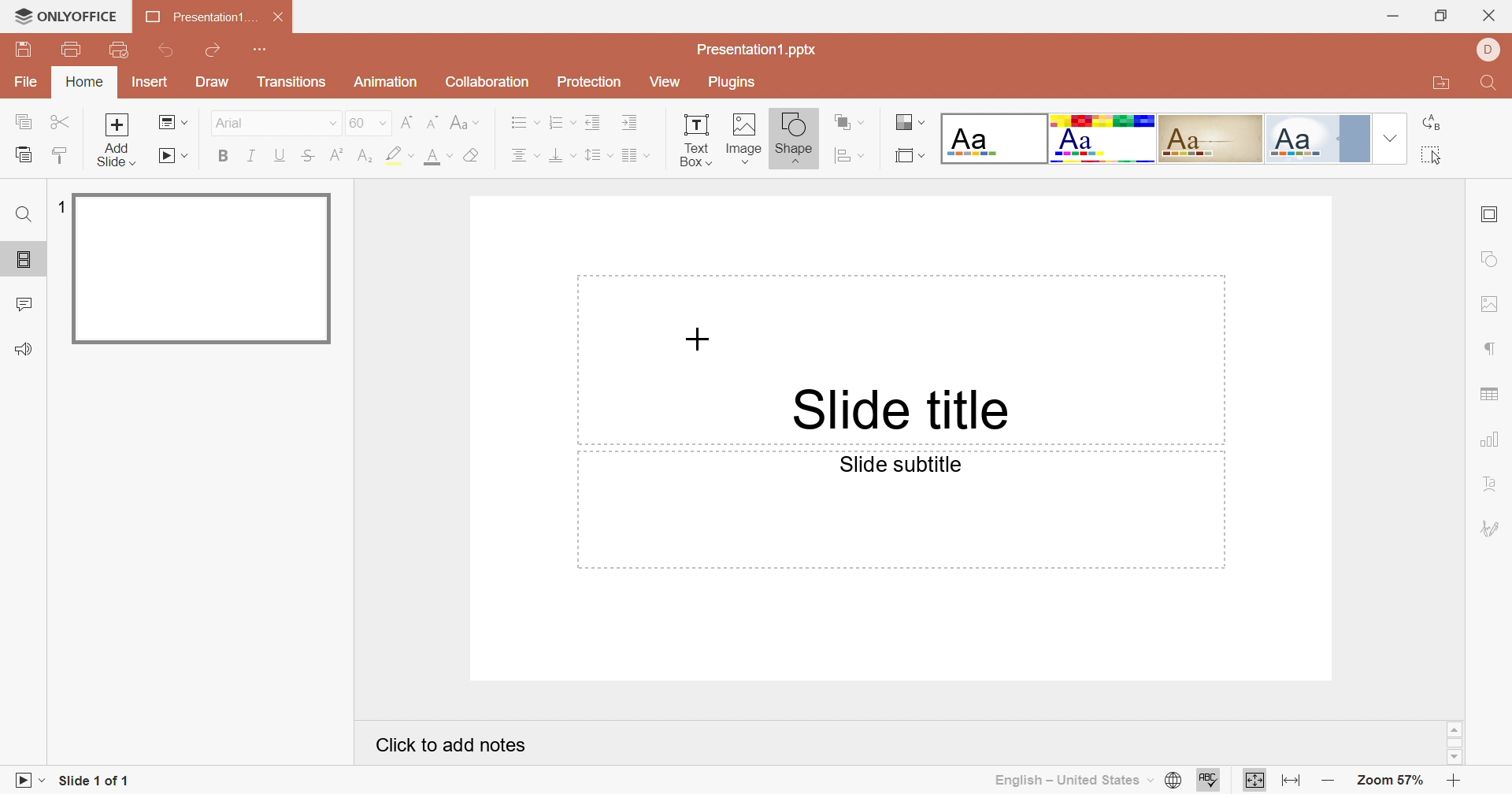 Image resolution: width=1512 pixels, height=794 pixels. What do you see at coordinates (275, 123) in the screenshot?
I see `Font` at bounding box center [275, 123].